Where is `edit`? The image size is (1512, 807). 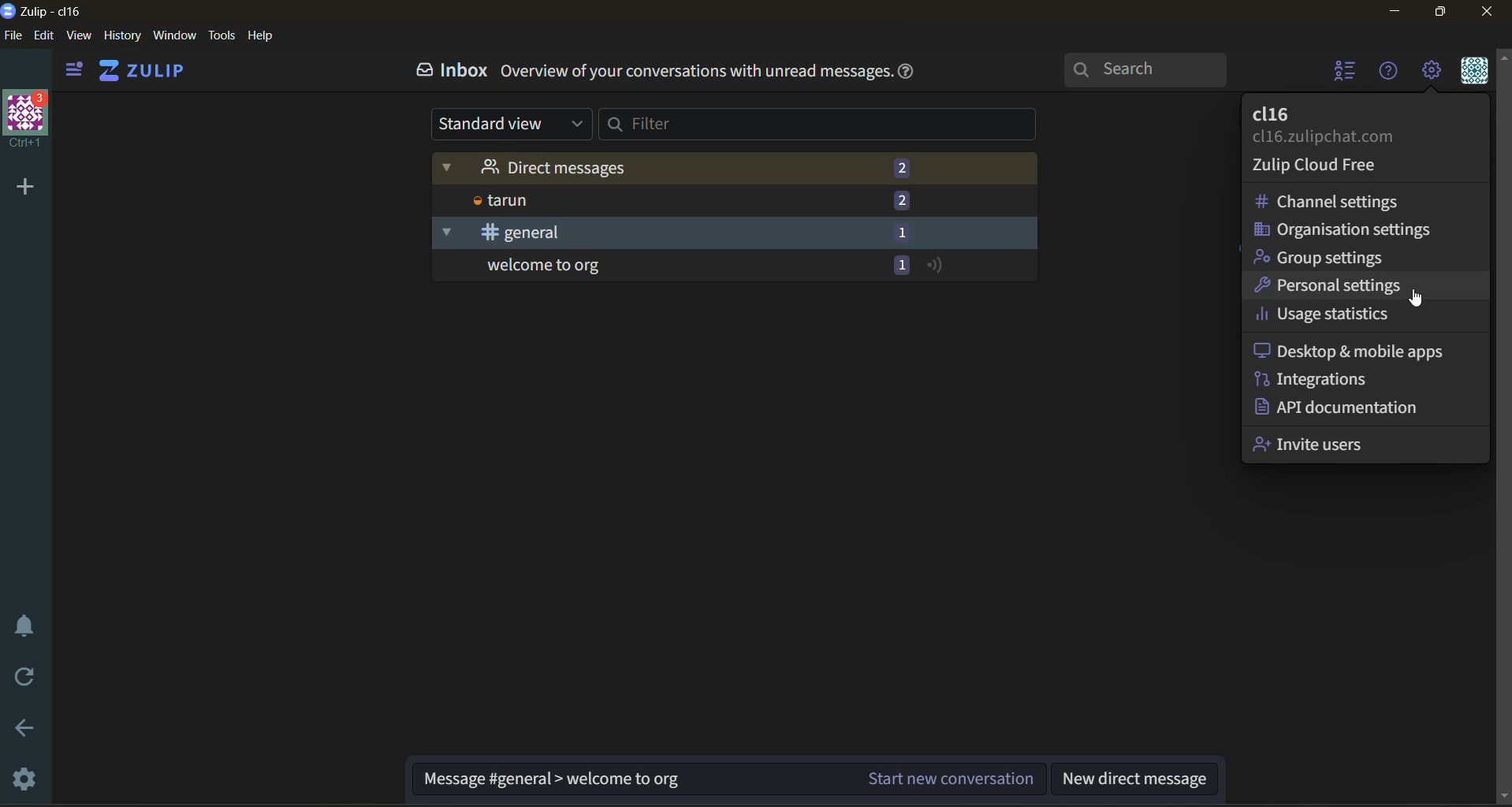 edit is located at coordinates (42, 35).